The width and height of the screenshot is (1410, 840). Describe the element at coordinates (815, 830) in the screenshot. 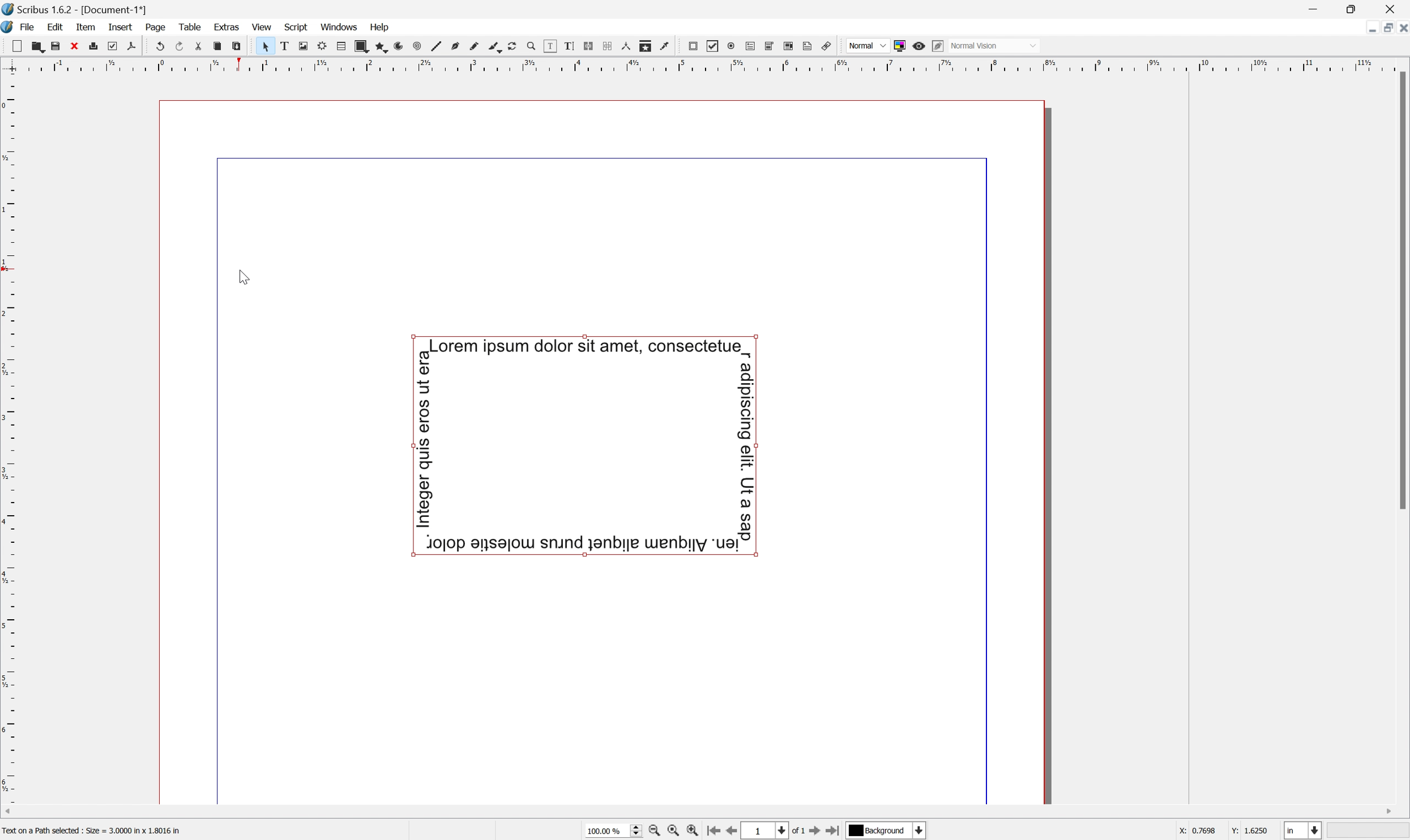

I see `Go to the next page` at that location.